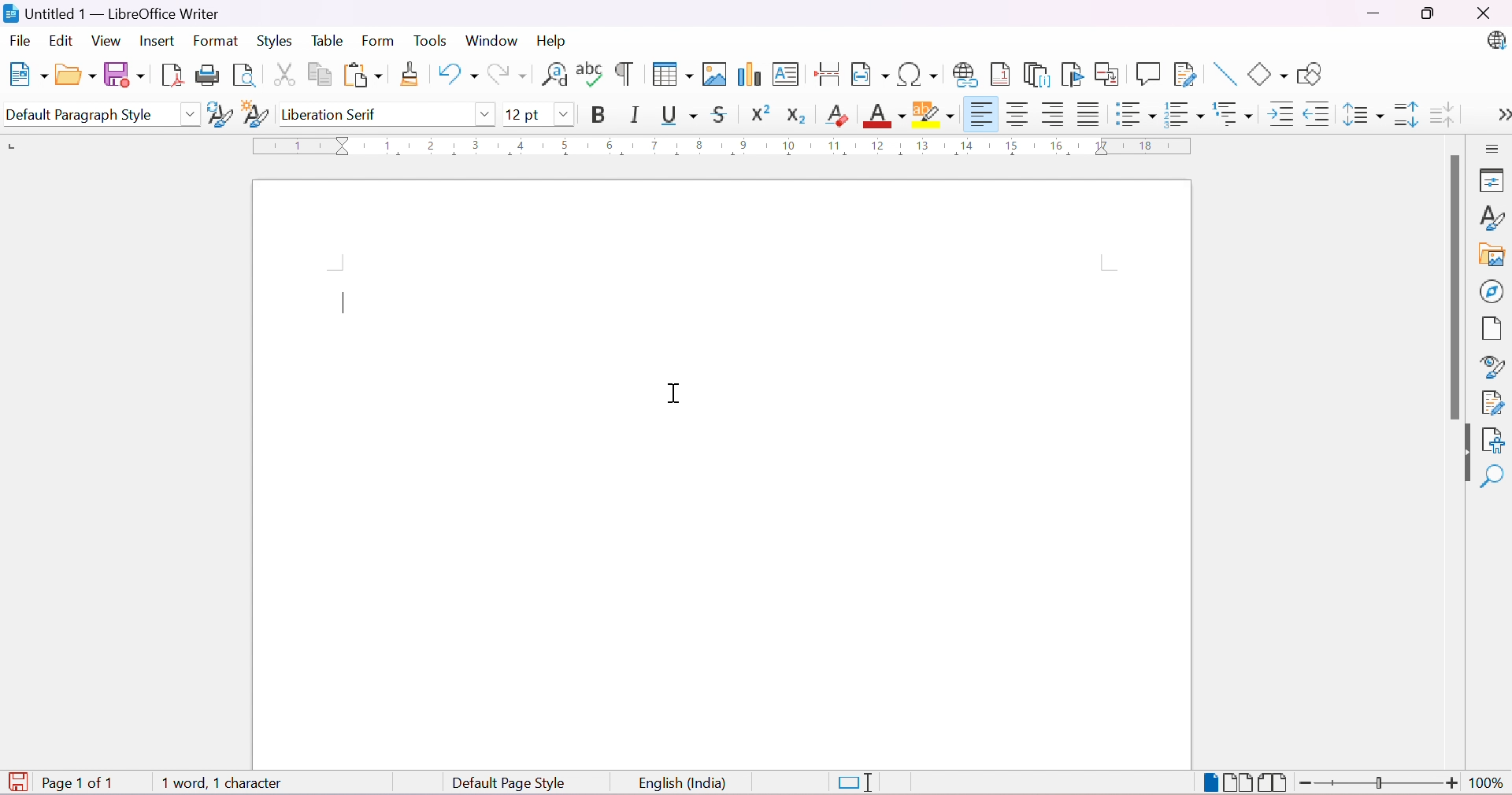  What do you see at coordinates (1182, 113) in the screenshot?
I see `Toggle Ordered List` at bounding box center [1182, 113].